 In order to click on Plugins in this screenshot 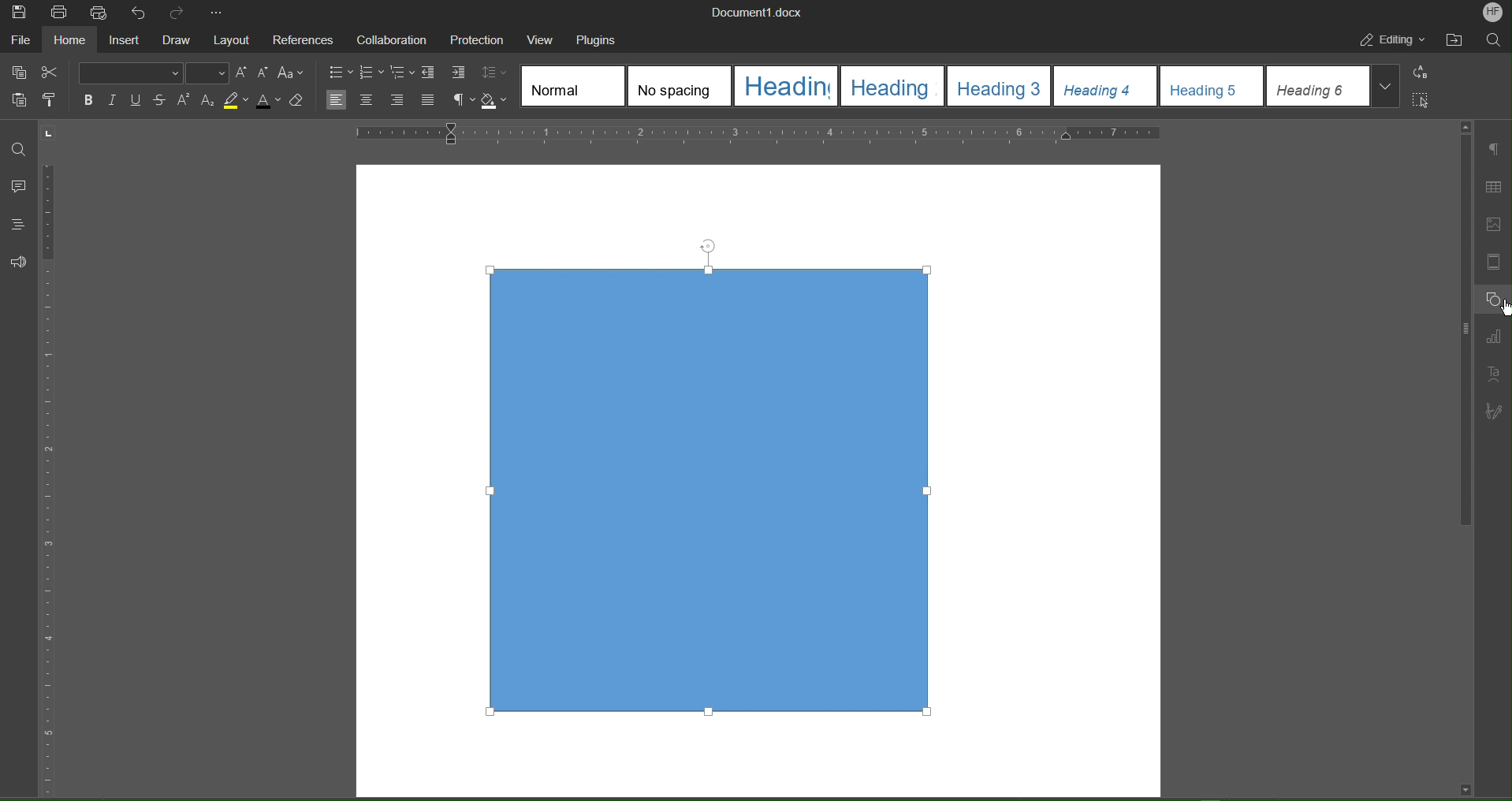, I will do `click(603, 39)`.